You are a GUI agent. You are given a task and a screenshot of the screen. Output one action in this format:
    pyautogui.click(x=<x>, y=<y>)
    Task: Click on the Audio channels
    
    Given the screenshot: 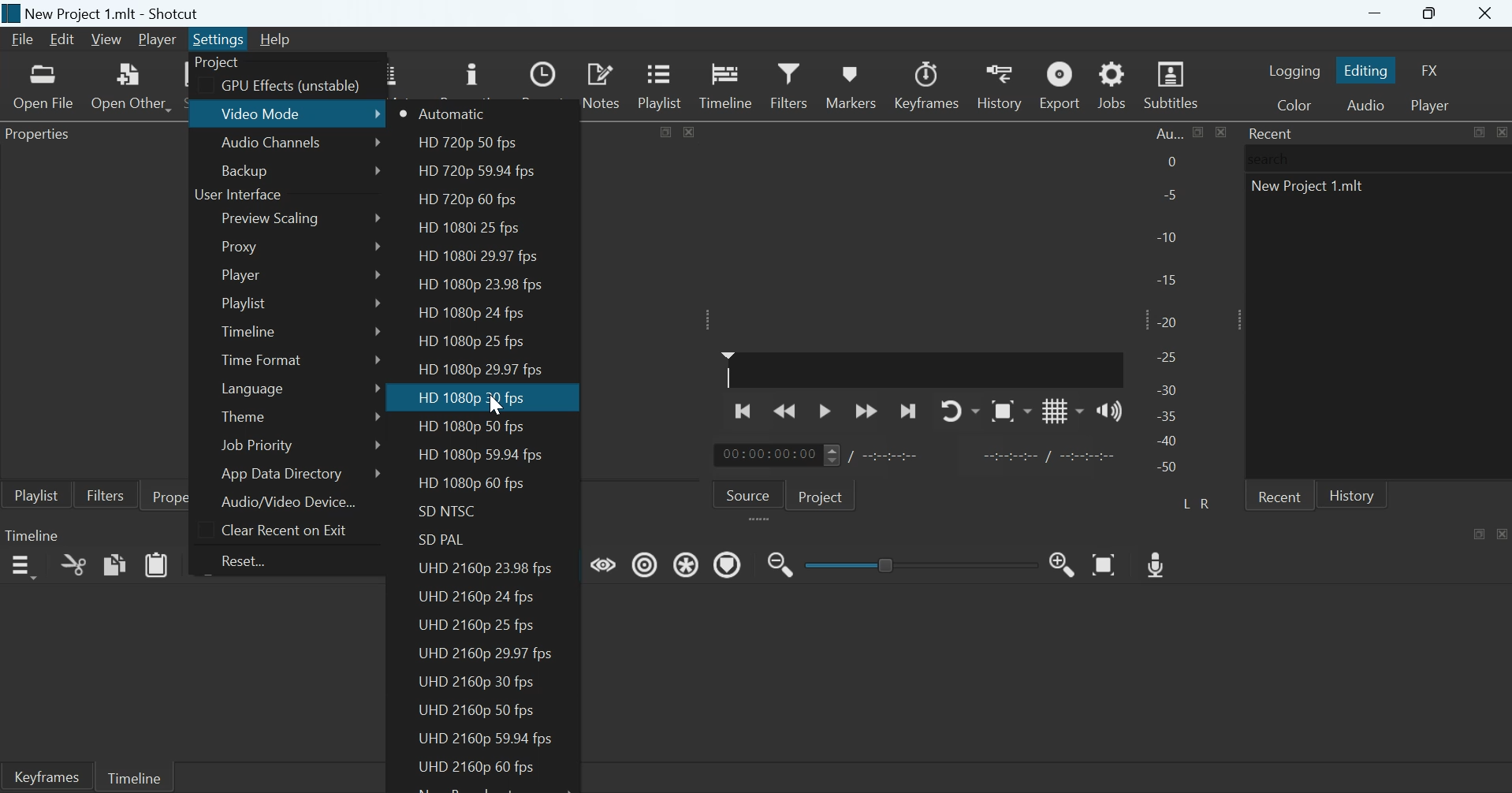 What is the action you would take?
    pyautogui.click(x=271, y=144)
    